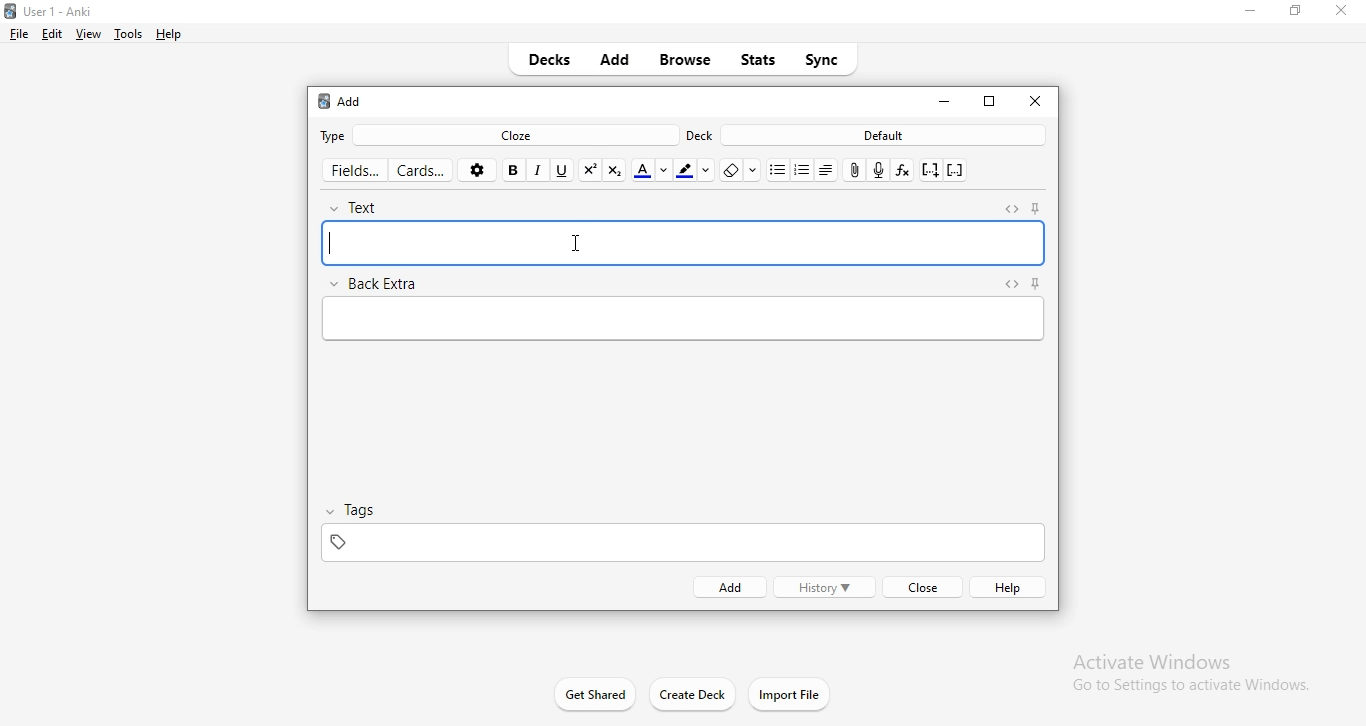  I want to click on cloze, so click(521, 134).